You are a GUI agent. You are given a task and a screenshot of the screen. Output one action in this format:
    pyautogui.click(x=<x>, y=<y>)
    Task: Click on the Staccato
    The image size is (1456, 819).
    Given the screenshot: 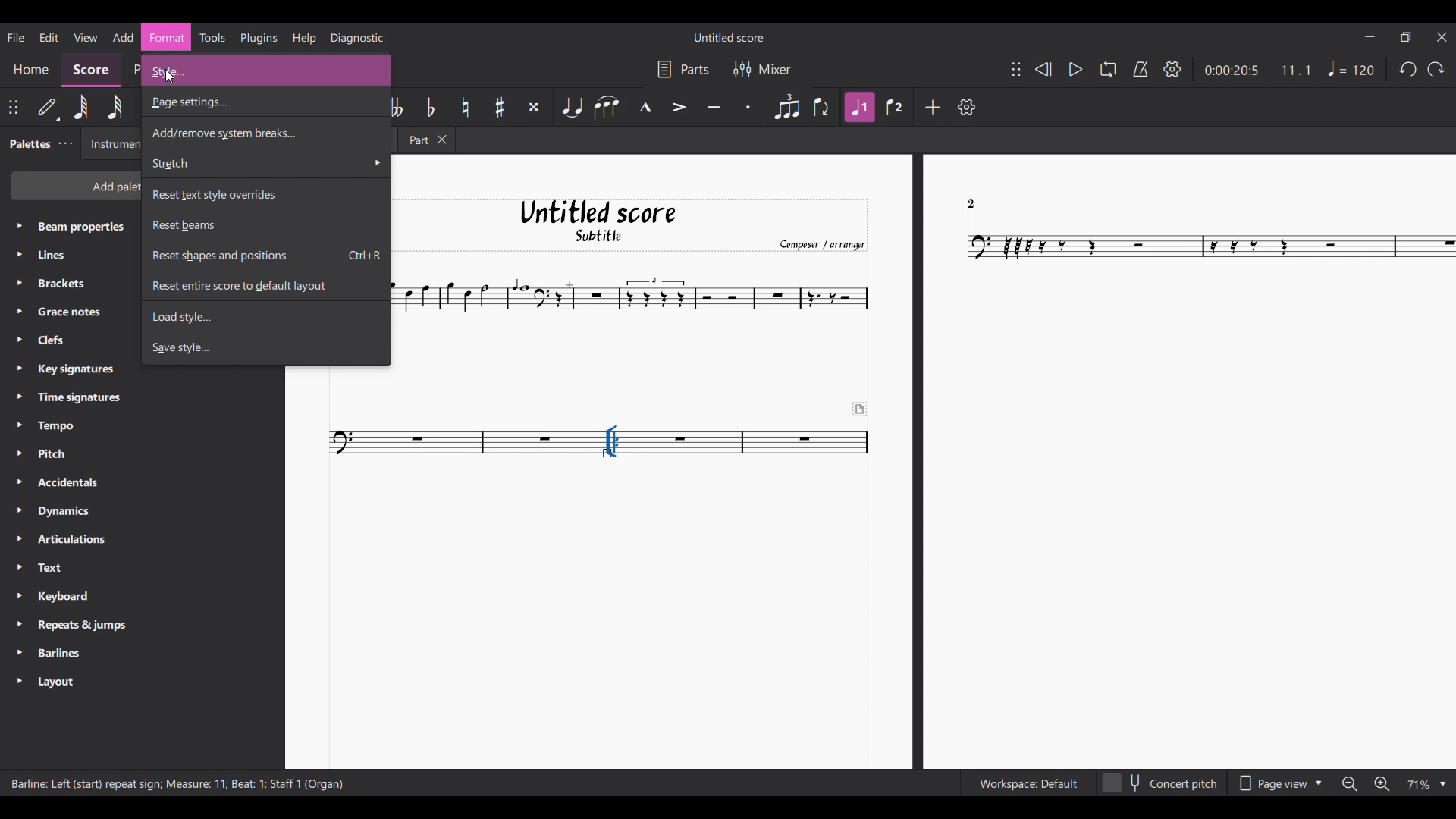 What is the action you would take?
    pyautogui.click(x=749, y=106)
    